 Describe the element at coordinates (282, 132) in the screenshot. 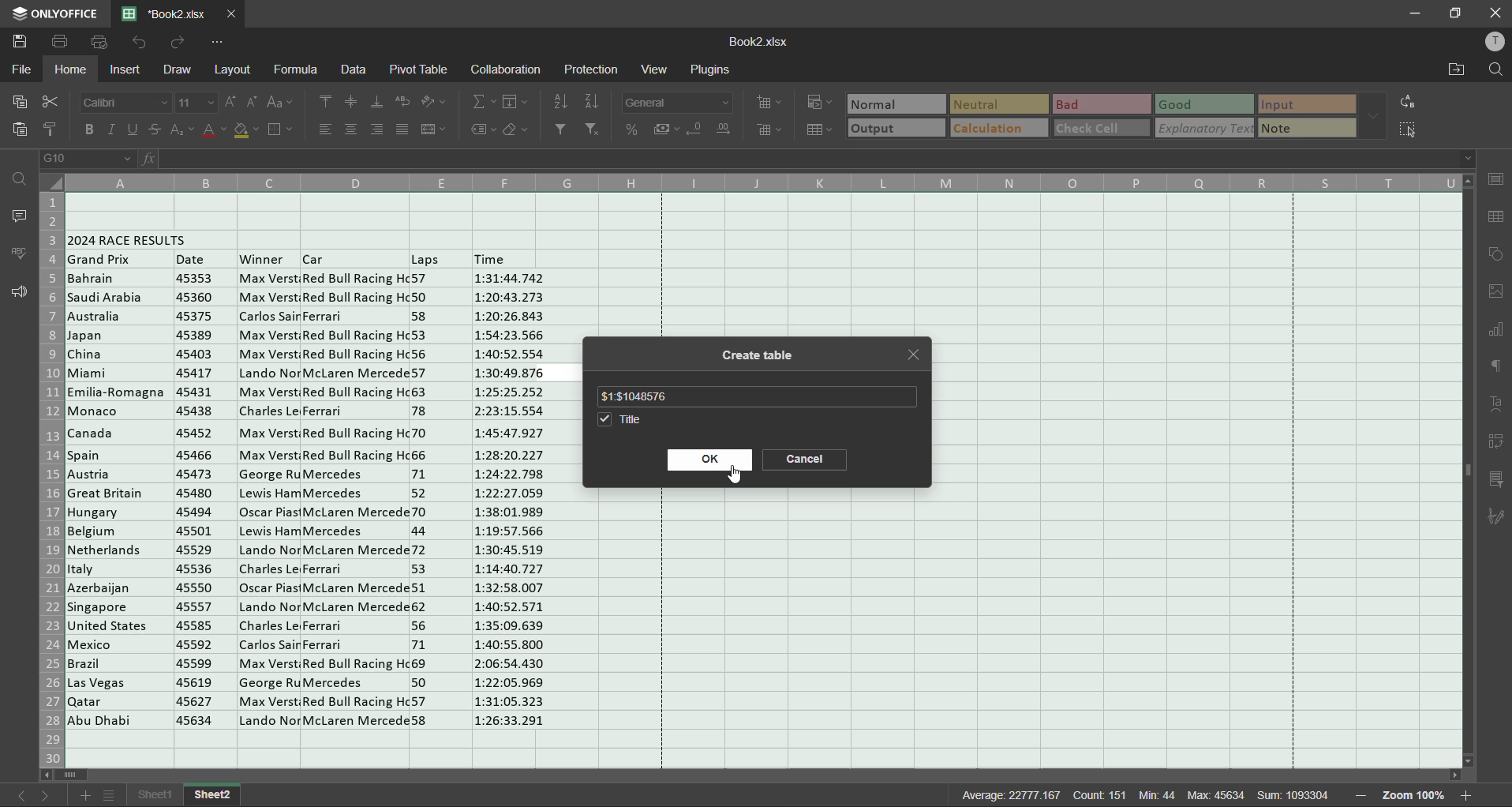

I see `borders` at that location.